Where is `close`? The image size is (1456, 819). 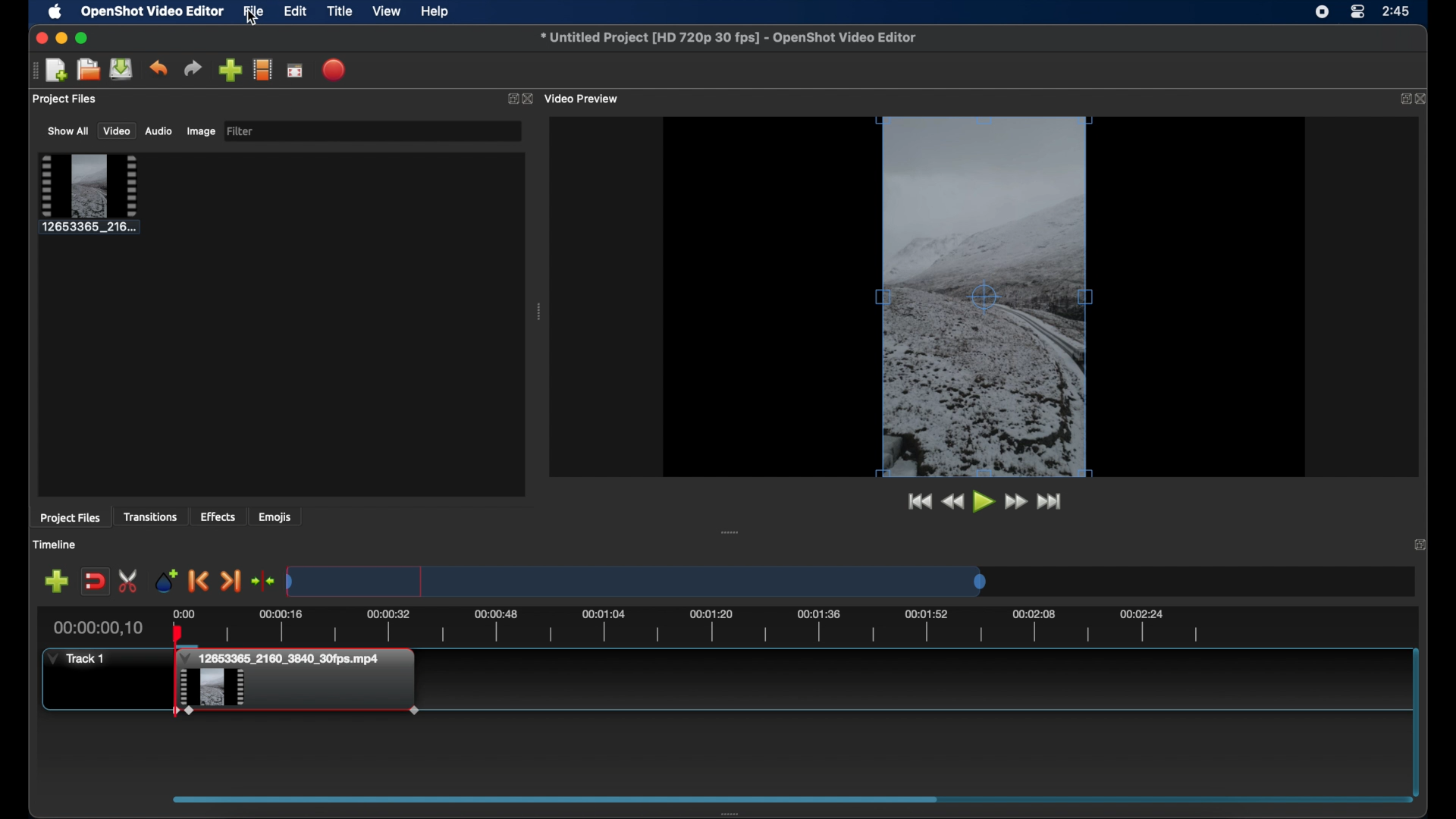 close is located at coordinates (1421, 544).